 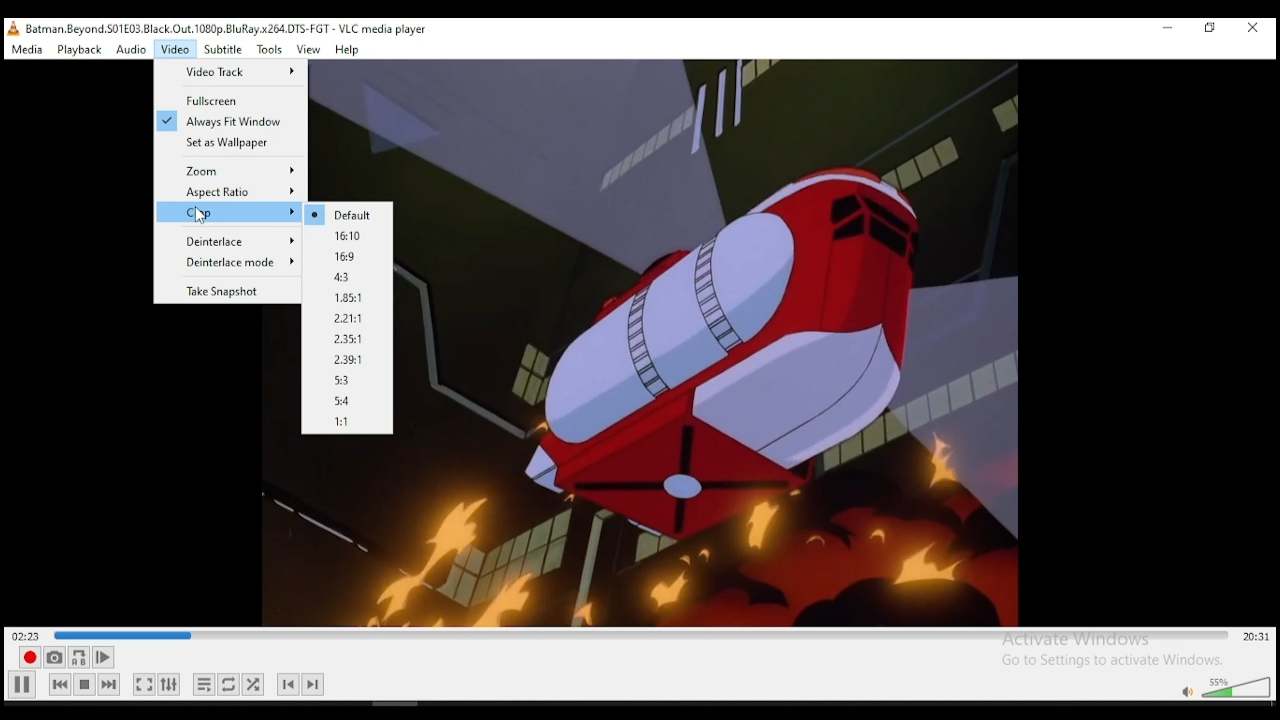 What do you see at coordinates (198, 214) in the screenshot?
I see `cursor` at bounding box center [198, 214].